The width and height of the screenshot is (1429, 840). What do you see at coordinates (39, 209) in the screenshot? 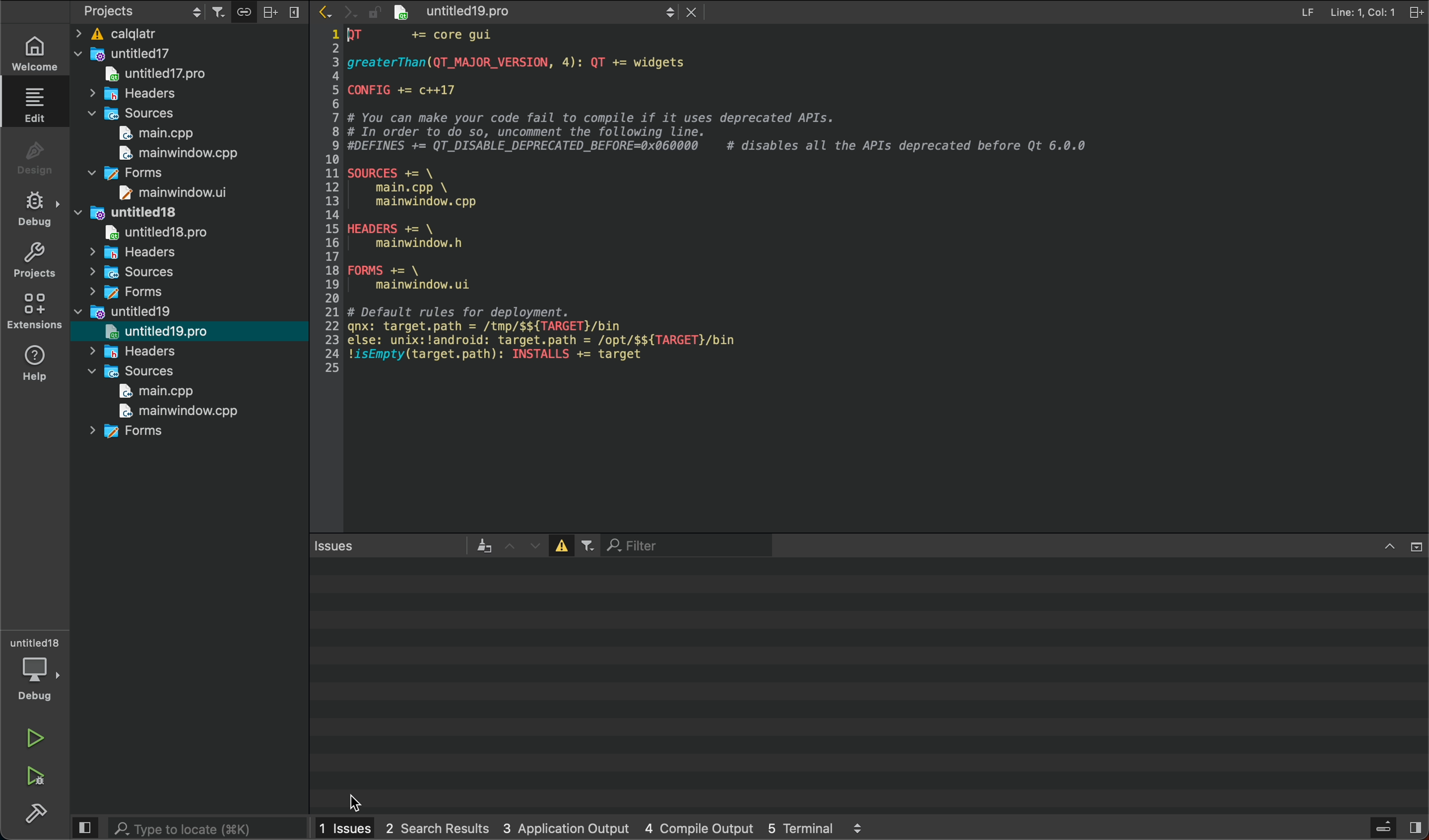
I see `debug` at bounding box center [39, 209].